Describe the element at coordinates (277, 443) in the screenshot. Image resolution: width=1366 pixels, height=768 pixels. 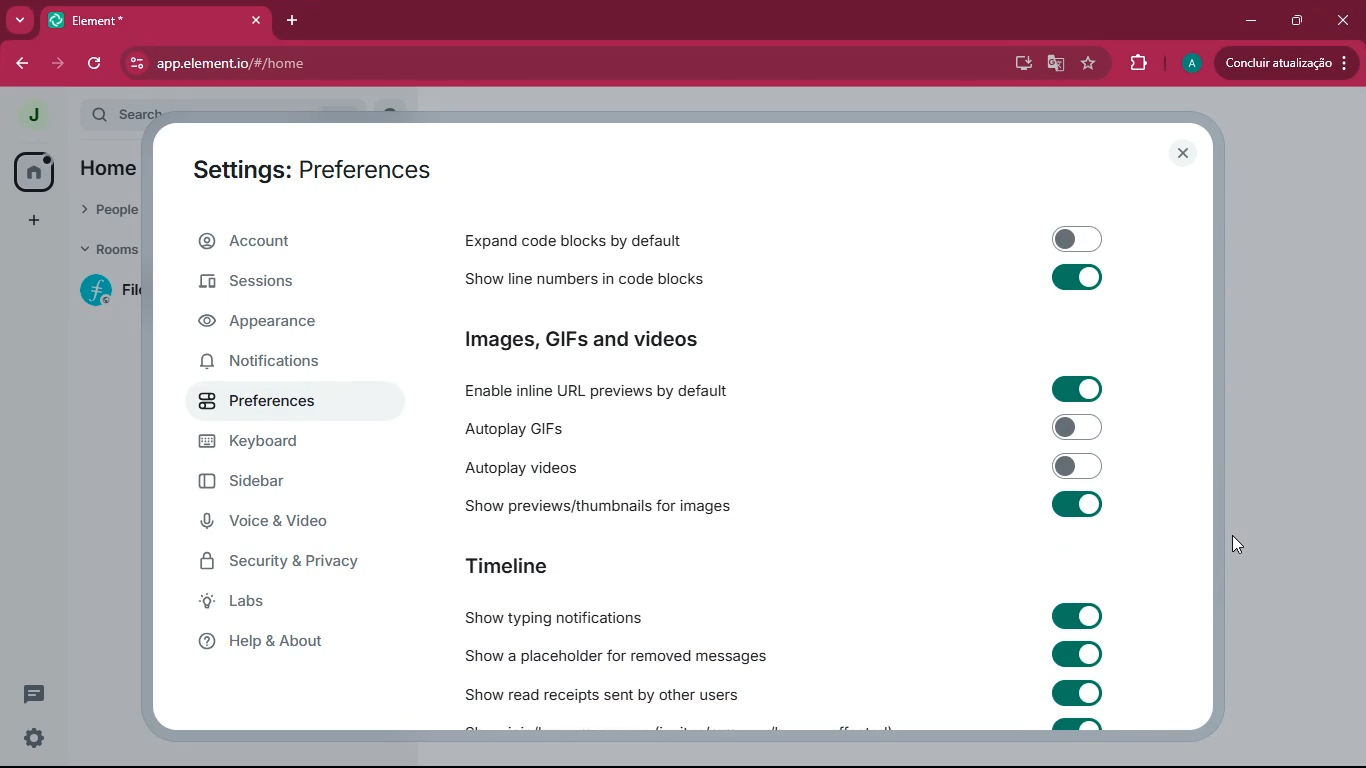
I see `keyboard` at that location.